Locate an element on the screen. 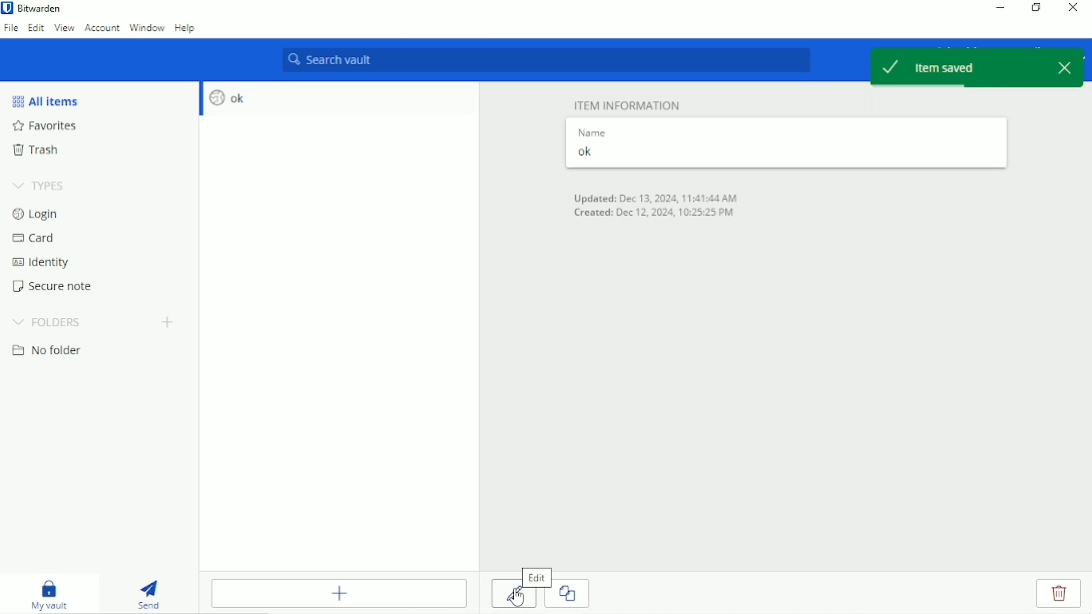 The image size is (1092, 614). Create folder is located at coordinates (169, 323).